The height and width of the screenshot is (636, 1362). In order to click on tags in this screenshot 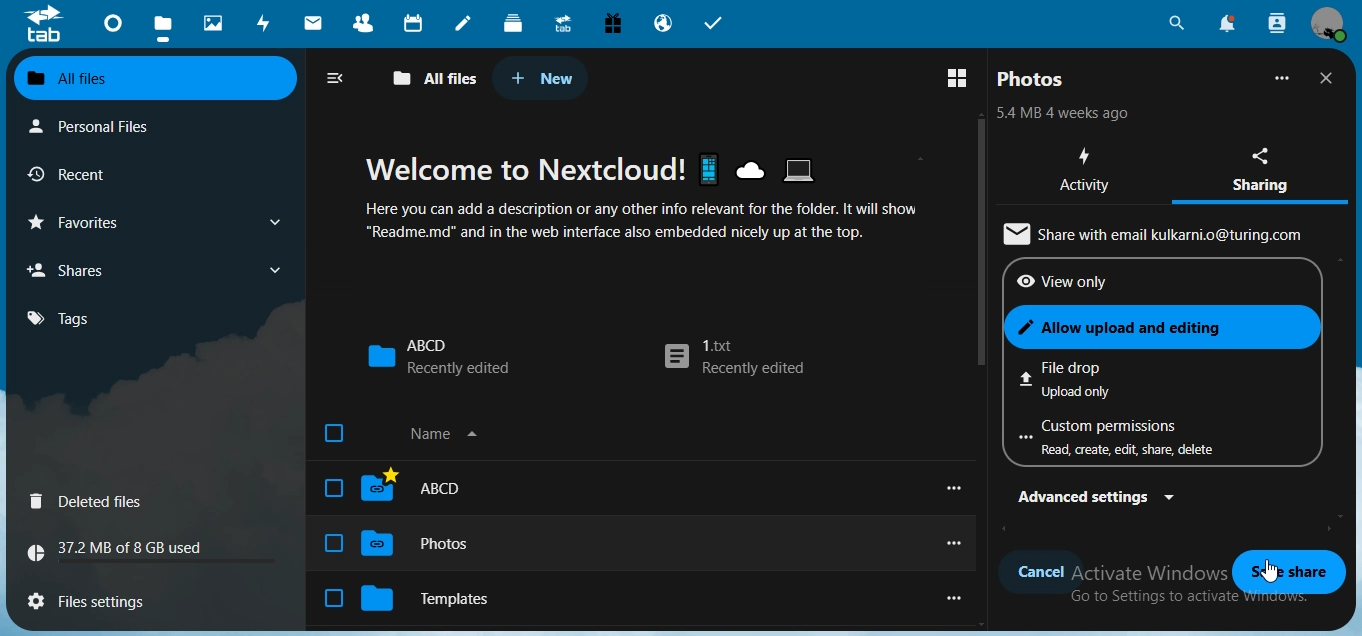, I will do `click(70, 318)`.